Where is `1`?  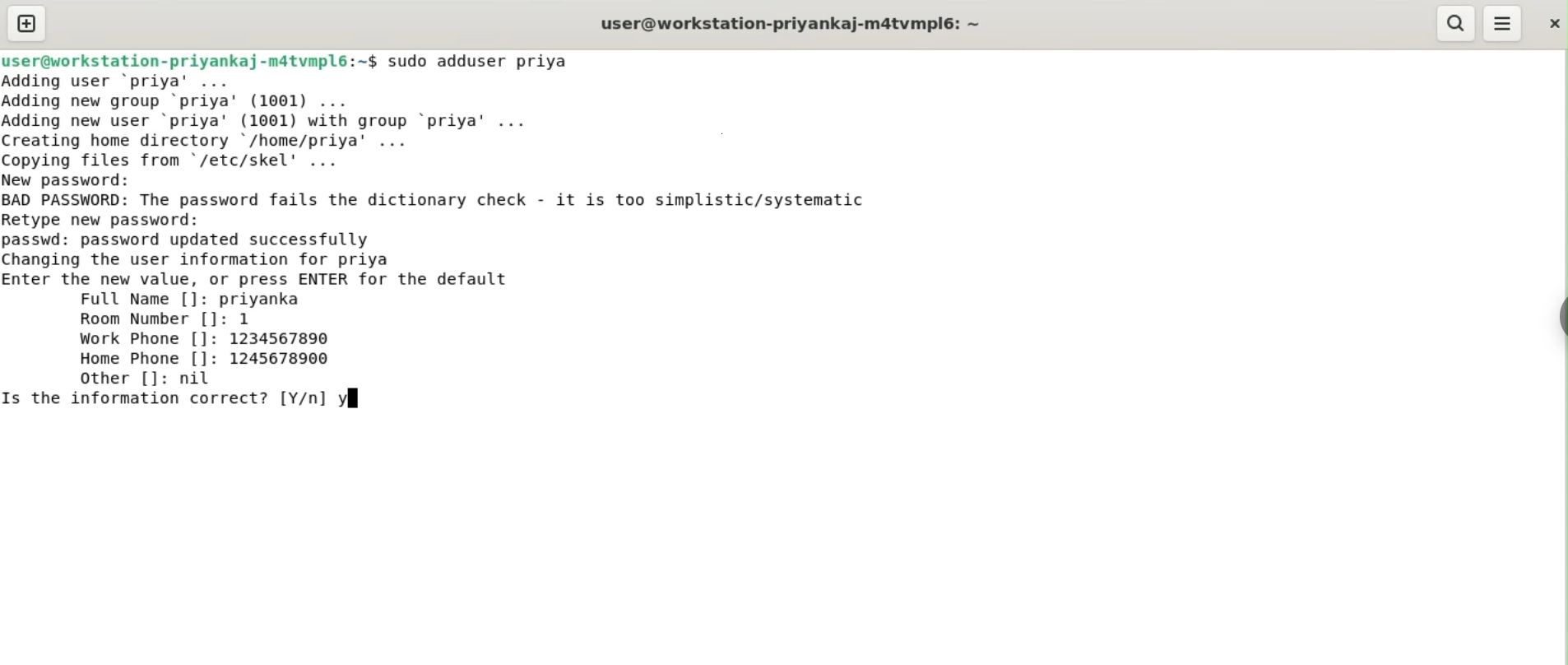 1 is located at coordinates (251, 319).